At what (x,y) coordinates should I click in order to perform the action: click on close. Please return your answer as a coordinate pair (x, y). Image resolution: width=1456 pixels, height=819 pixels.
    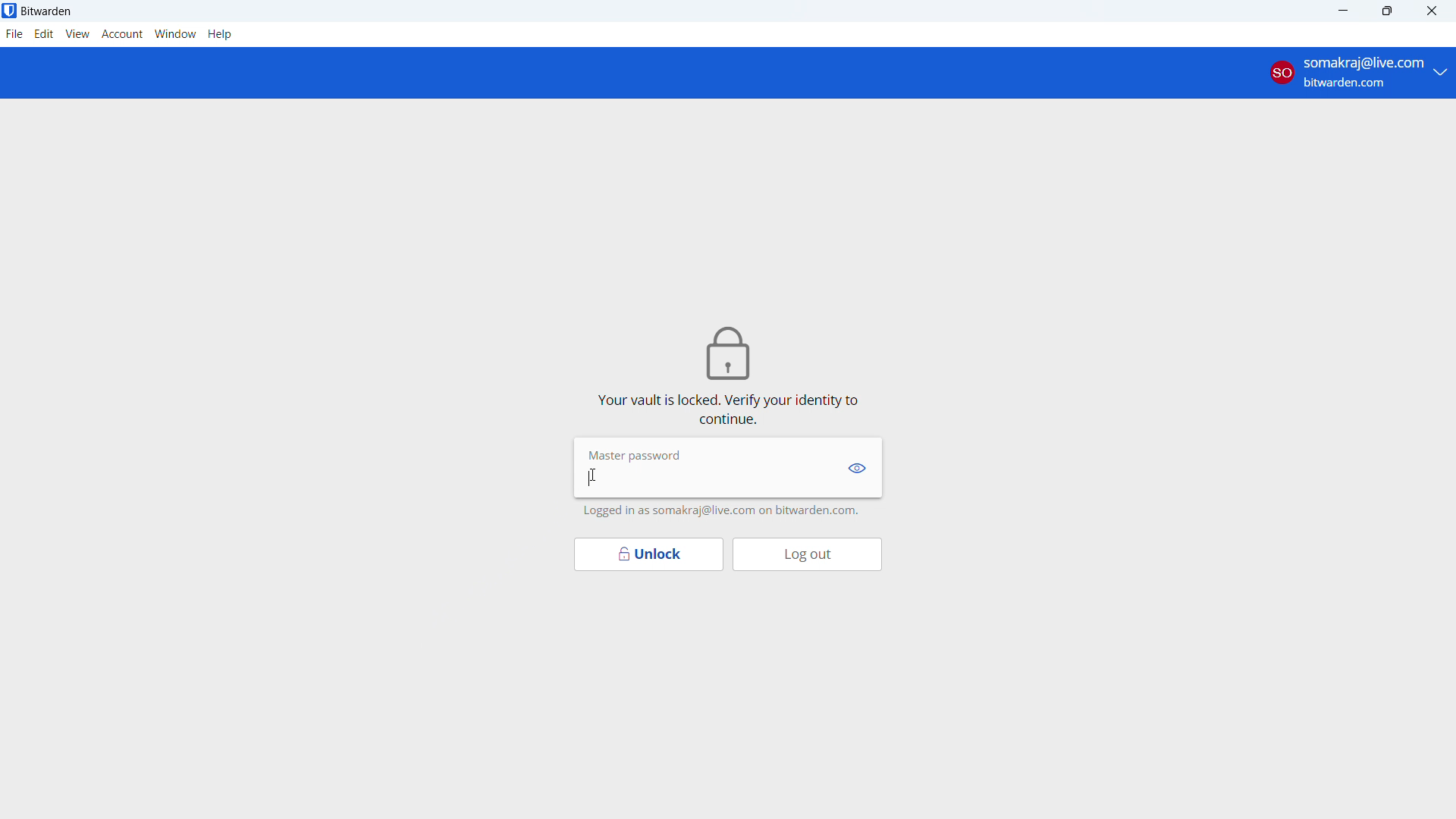
    Looking at the image, I should click on (1431, 11).